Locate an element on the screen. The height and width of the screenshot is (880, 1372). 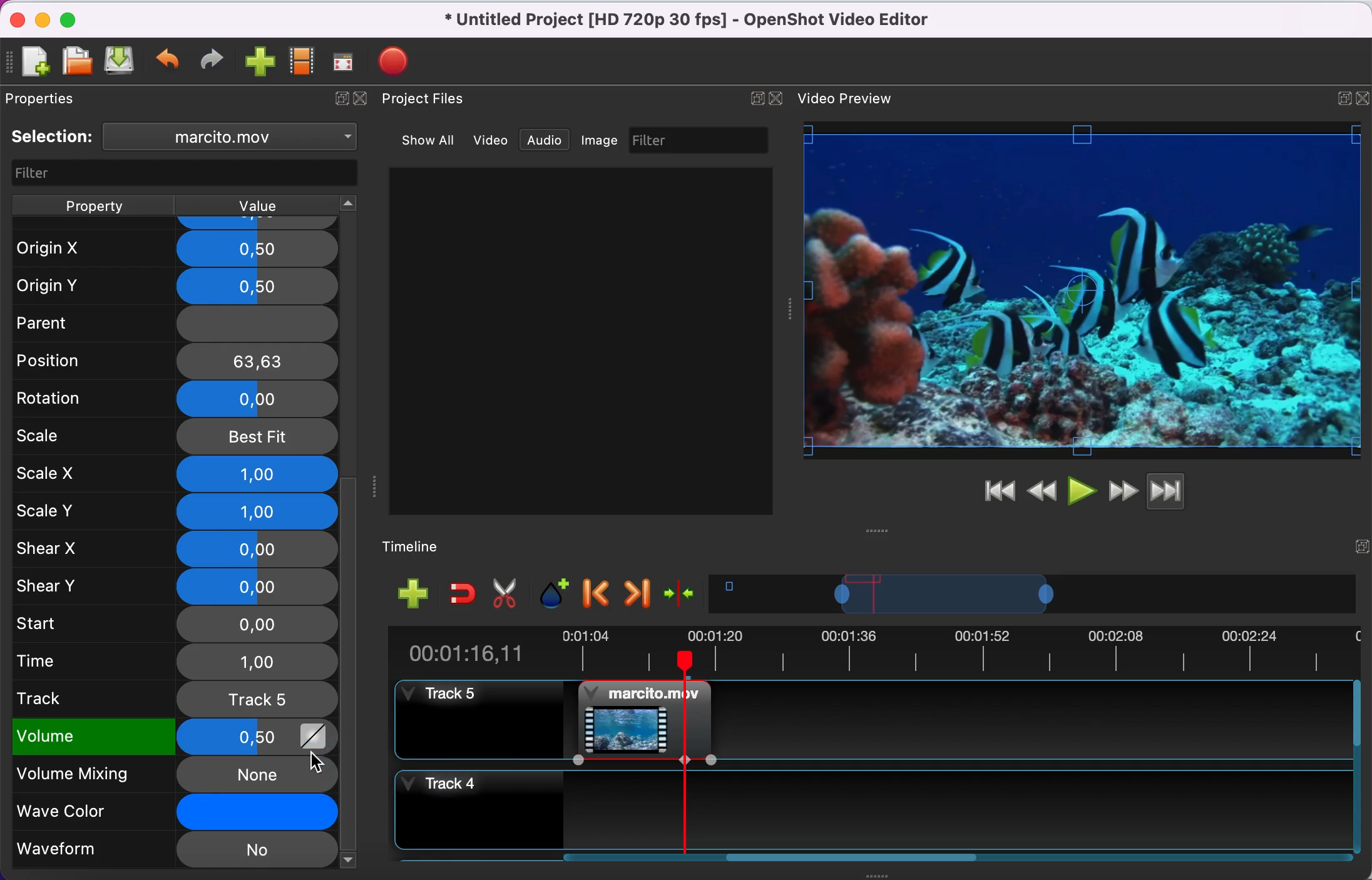
show all is located at coordinates (422, 138).